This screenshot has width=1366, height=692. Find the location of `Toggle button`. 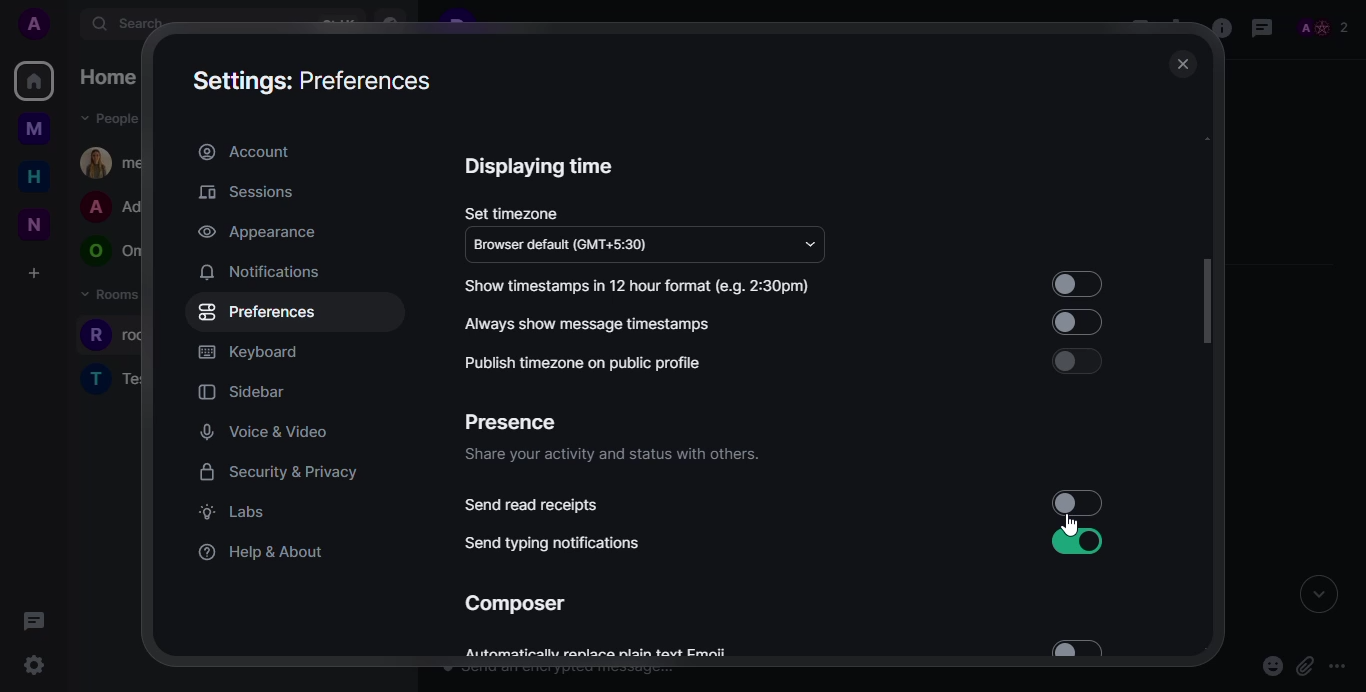

Toggle button is located at coordinates (1077, 285).